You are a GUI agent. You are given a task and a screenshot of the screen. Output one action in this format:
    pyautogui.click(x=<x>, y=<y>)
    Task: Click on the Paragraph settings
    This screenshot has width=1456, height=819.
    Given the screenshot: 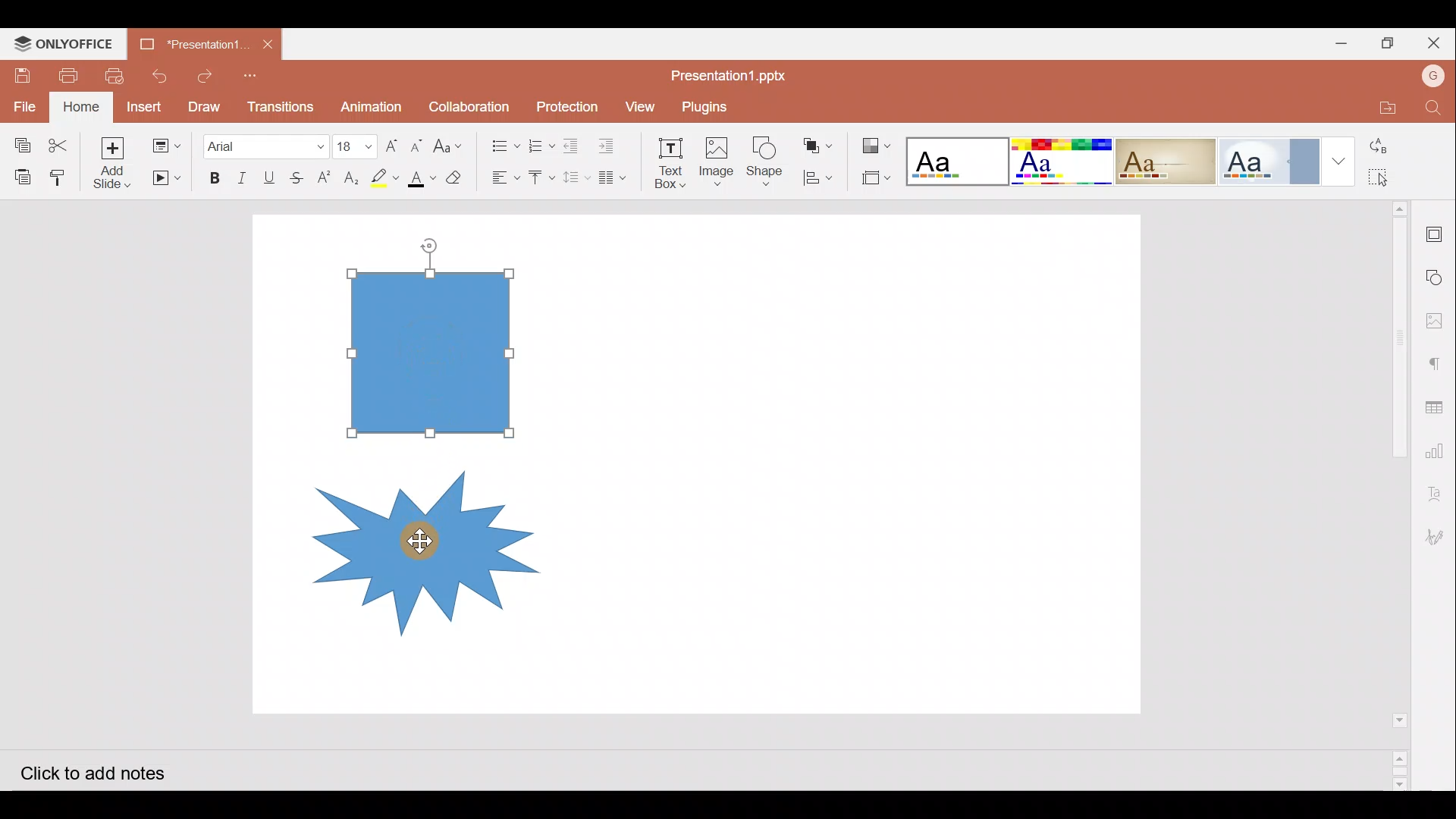 What is the action you would take?
    pyautogui.click(x=1438, y=360)
    